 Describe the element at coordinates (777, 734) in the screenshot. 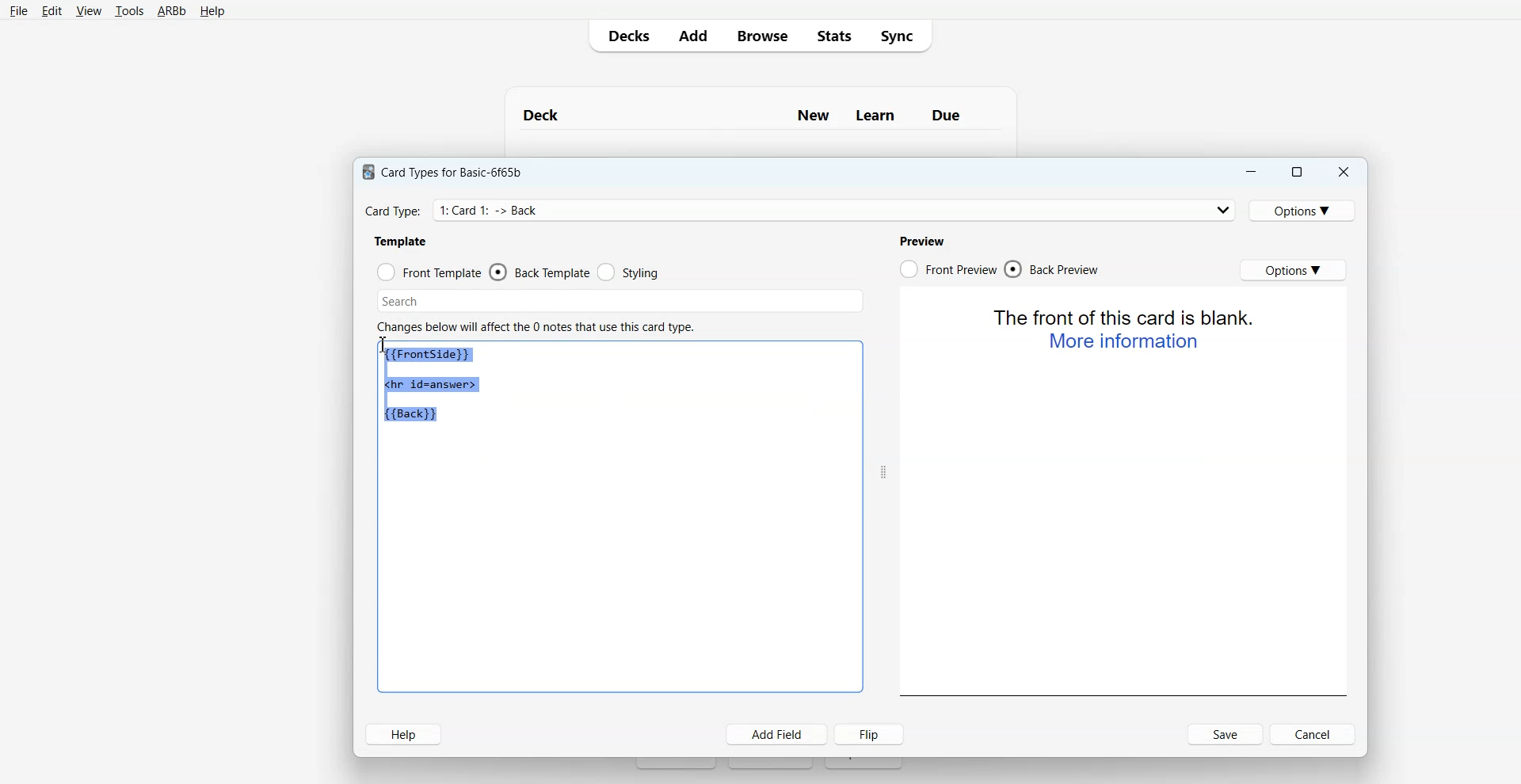

I see `Add Field` at that location.